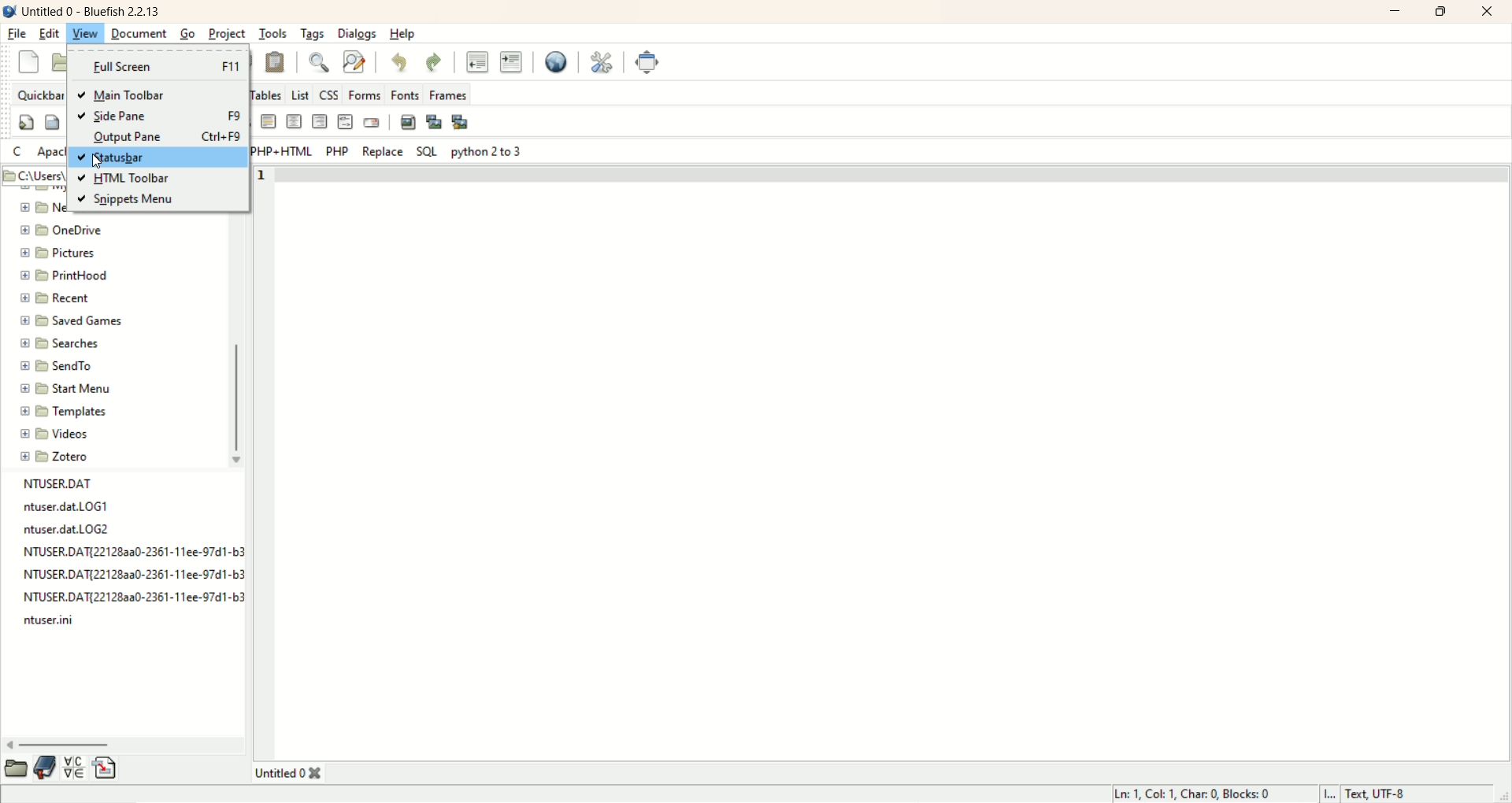 This screenshot has width=1512, height=803. Describe the element at coordinates (40, 205) in the screenshot. I see `folder` at that location.